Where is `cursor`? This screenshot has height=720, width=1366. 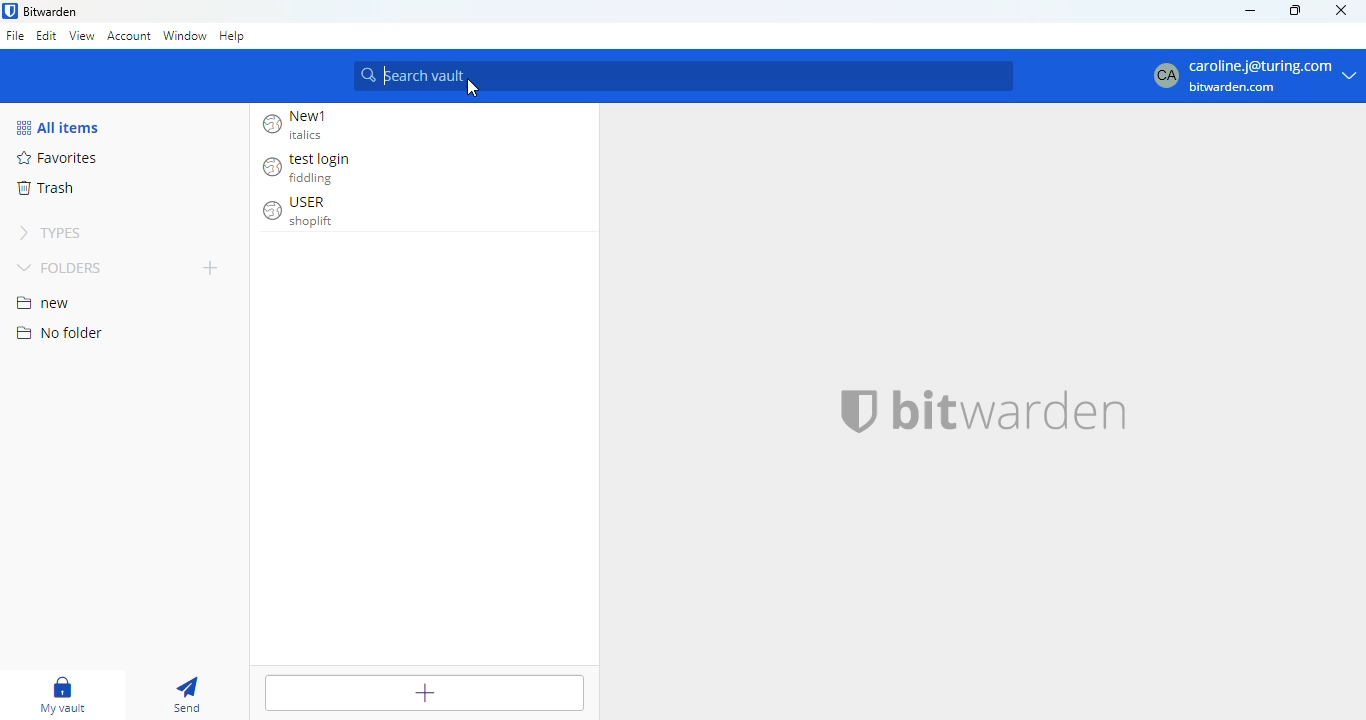
cursor is located at coordinates (473, 88).